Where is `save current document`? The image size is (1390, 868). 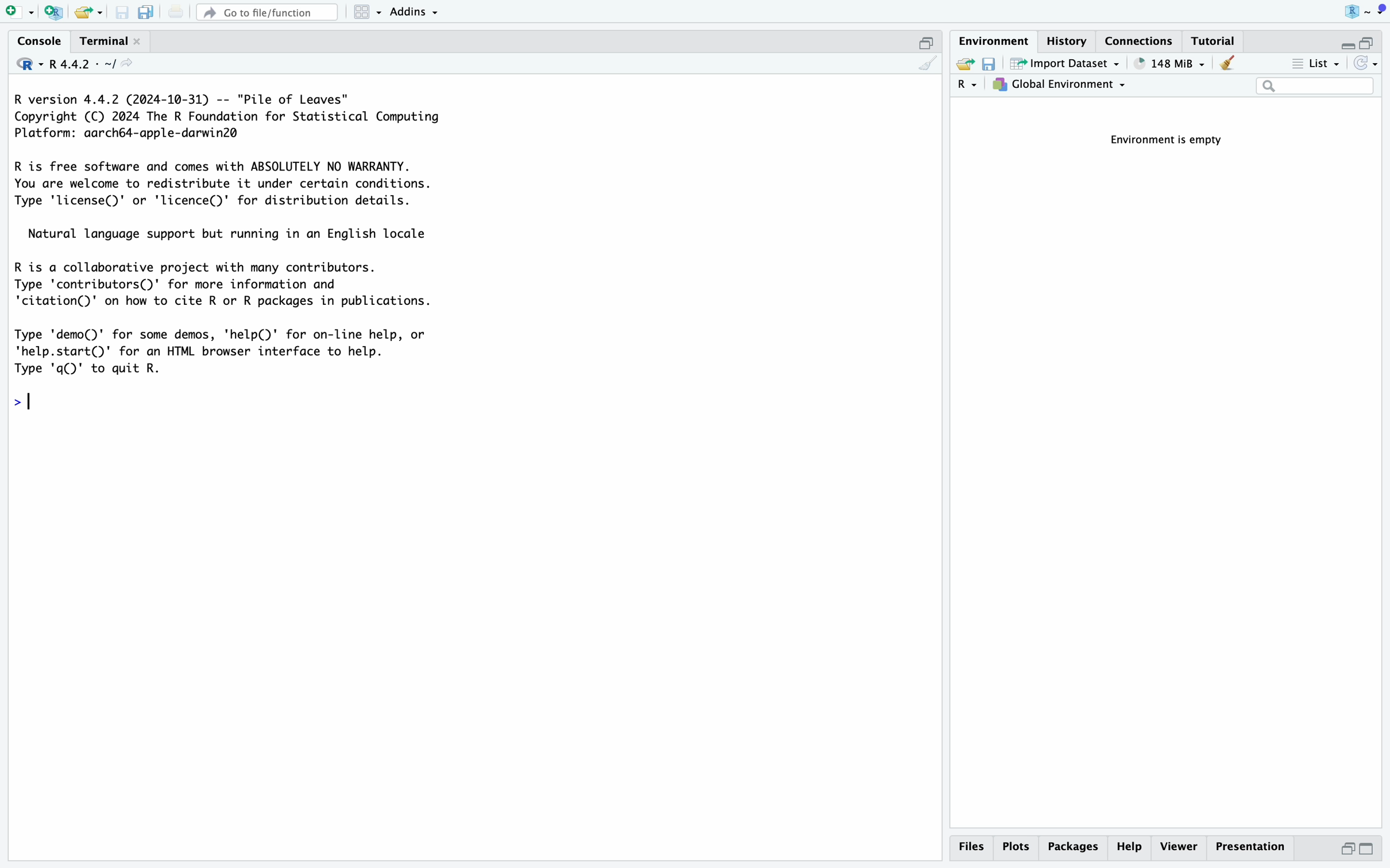 save current document is located at coordinates (123, 12).